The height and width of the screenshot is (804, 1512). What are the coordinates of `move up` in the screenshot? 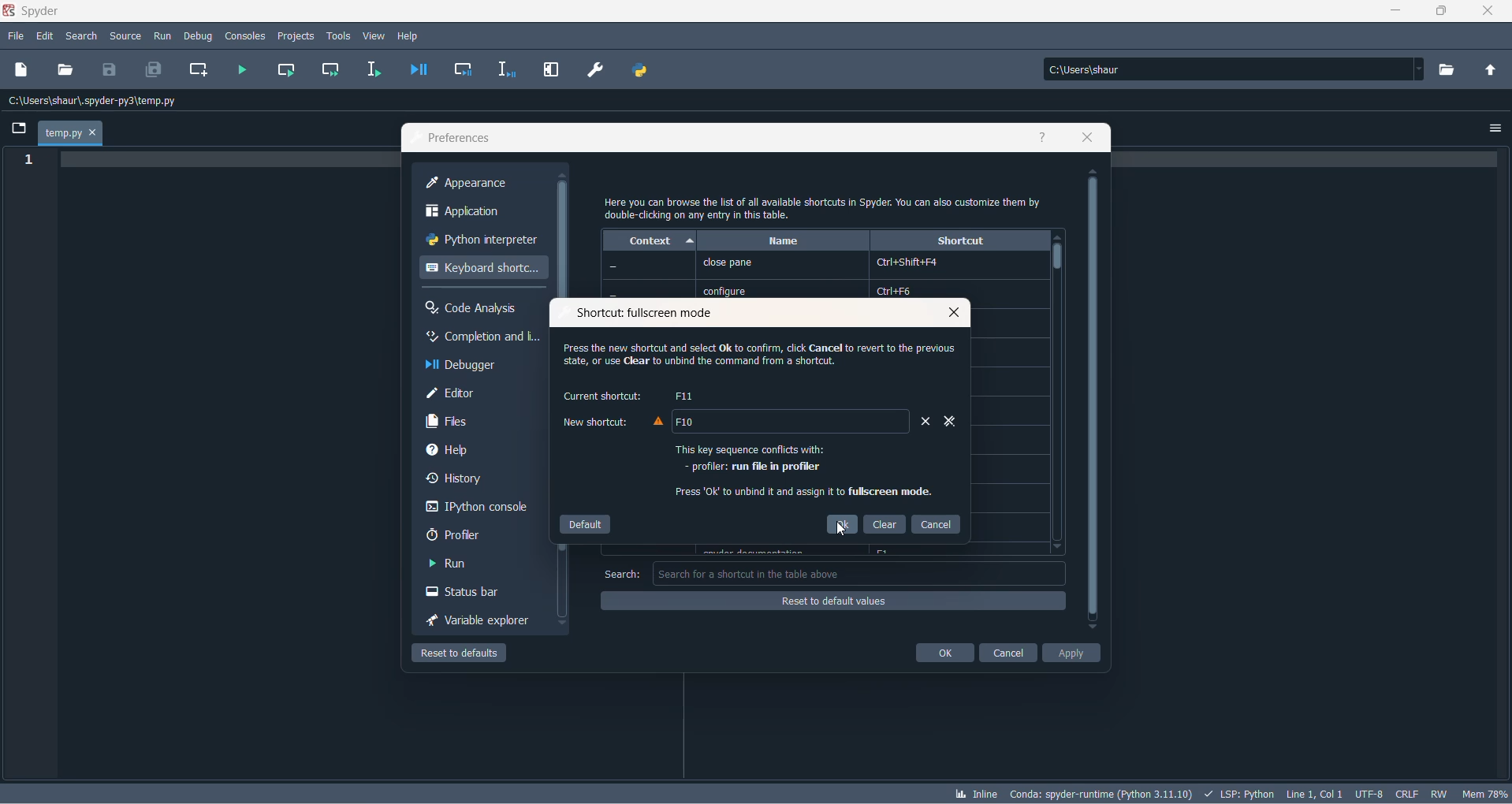 It's located at (1057, 237).